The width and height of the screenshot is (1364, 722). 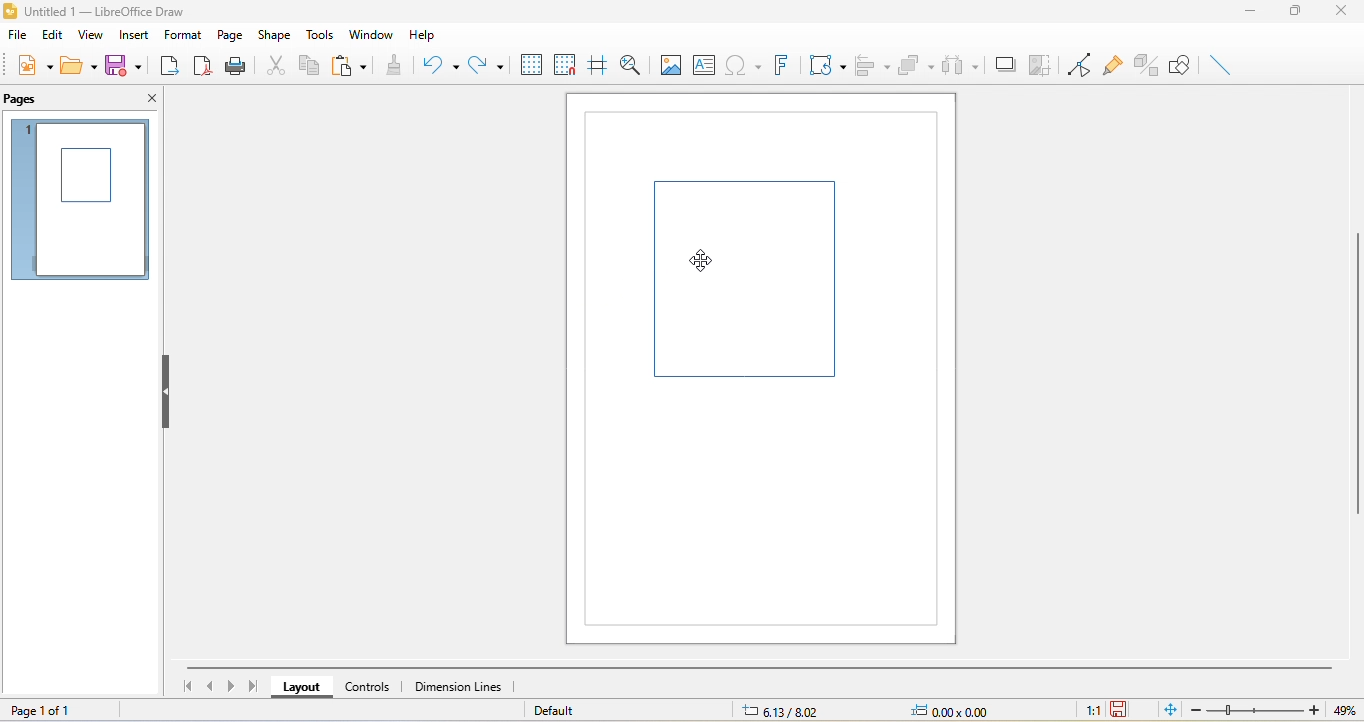 What do you see at coordinates (962, 66) in the screenshot?
I see `select at least three object to distribute` at bounding box center [962, 66].